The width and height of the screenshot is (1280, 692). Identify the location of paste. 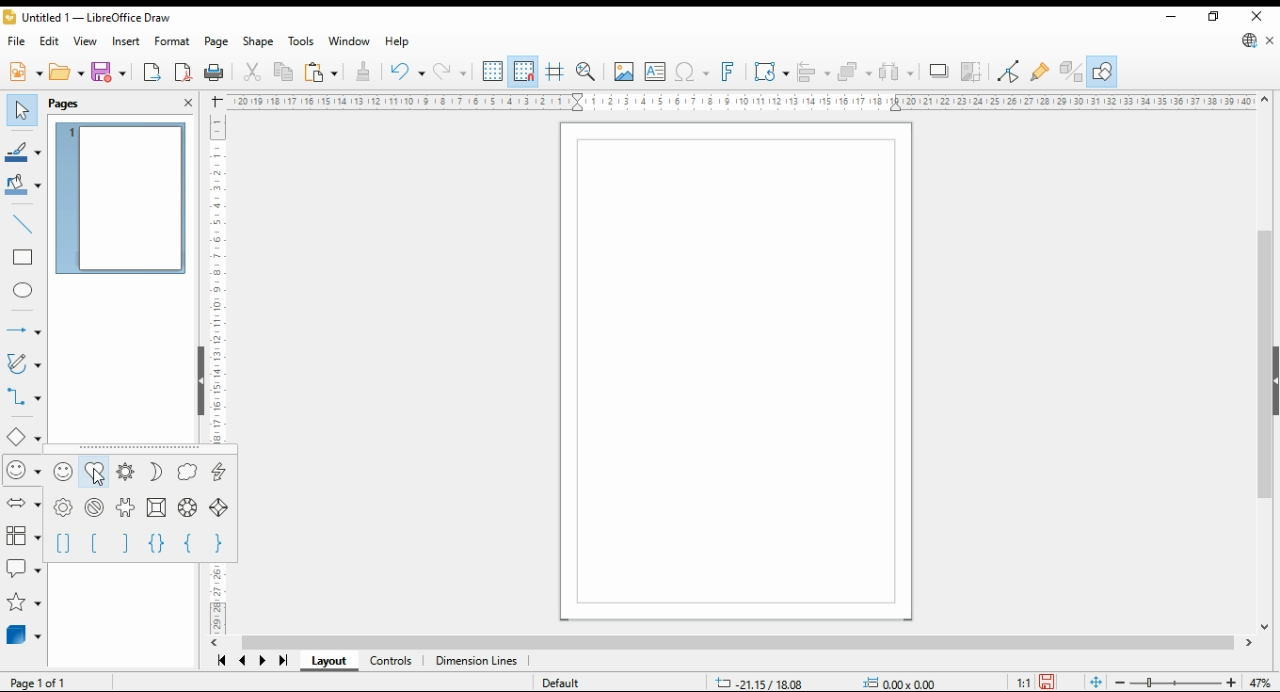
(320, 72).